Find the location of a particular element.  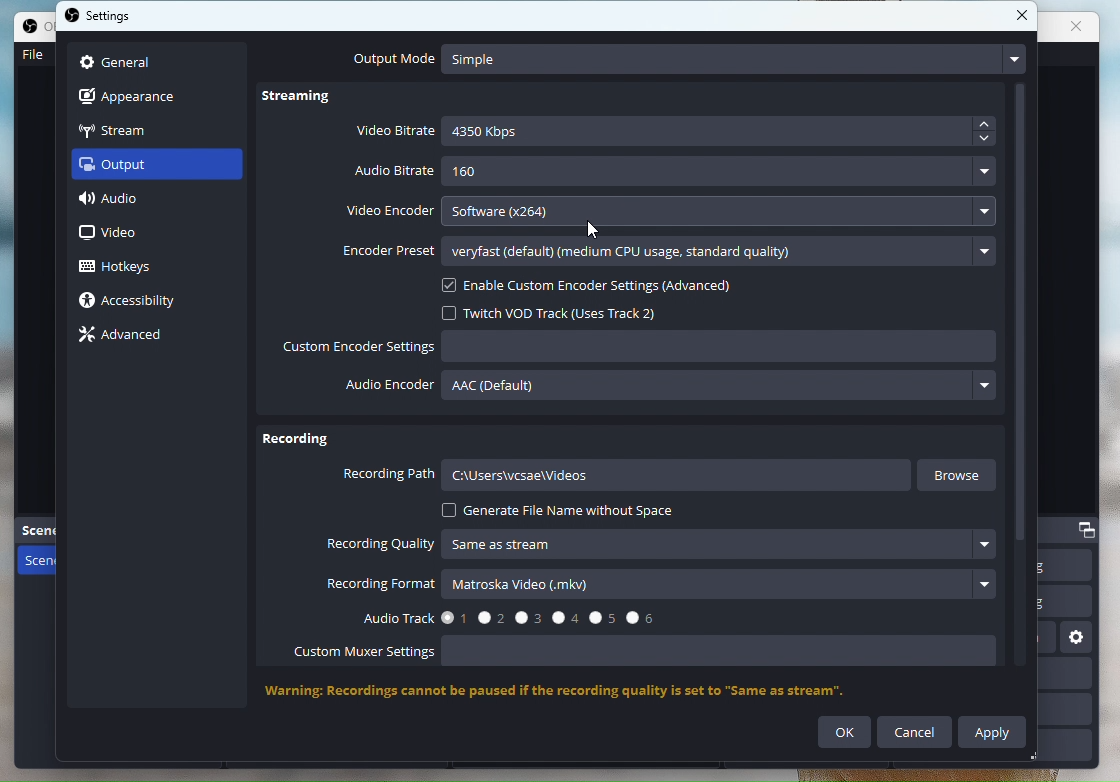

Generate file name without space is located at coordinates (560, 511).